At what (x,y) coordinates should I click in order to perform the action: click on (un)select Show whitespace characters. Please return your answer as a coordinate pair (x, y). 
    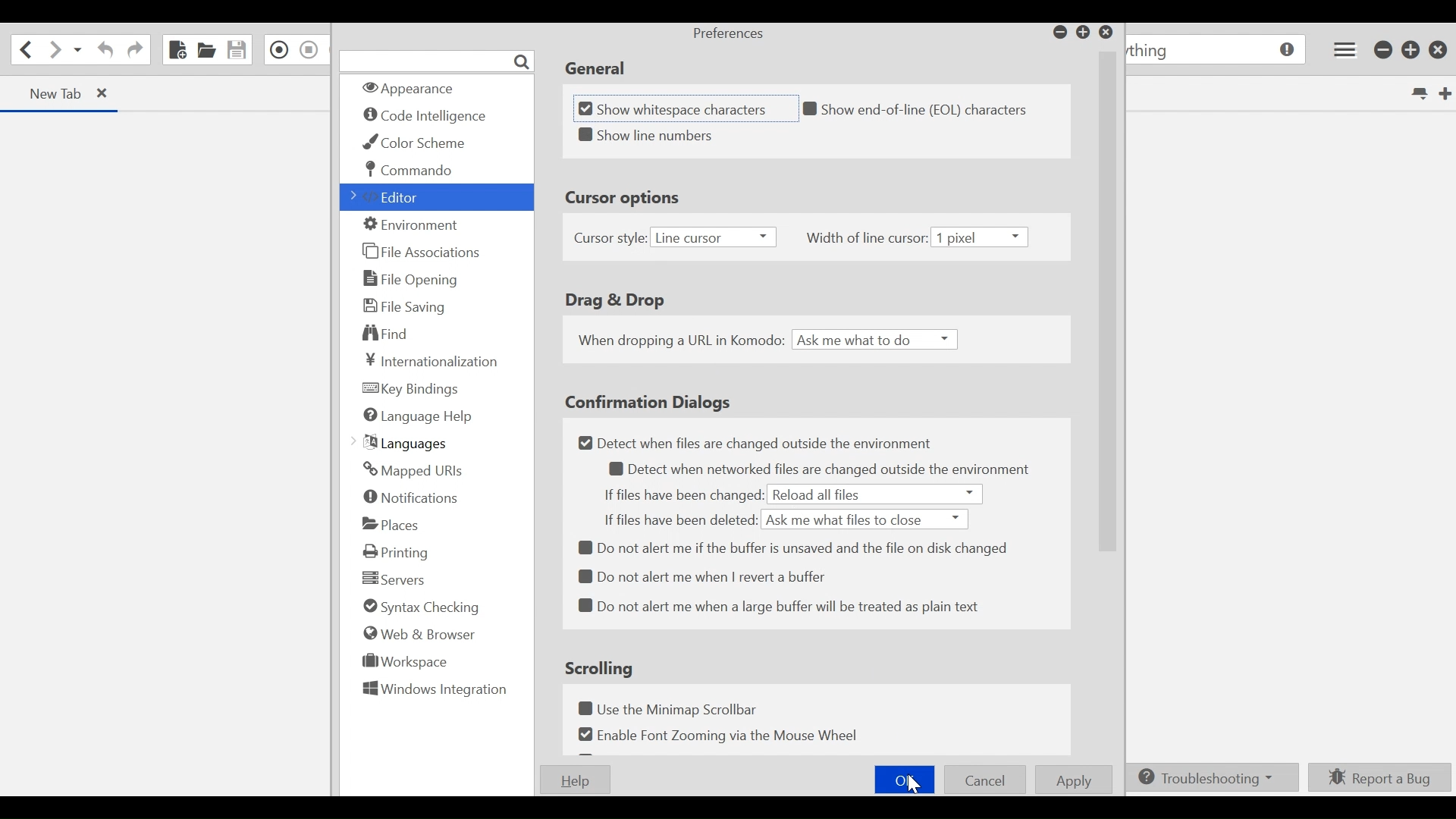
    Looking at the image, I should click on (684, 108).